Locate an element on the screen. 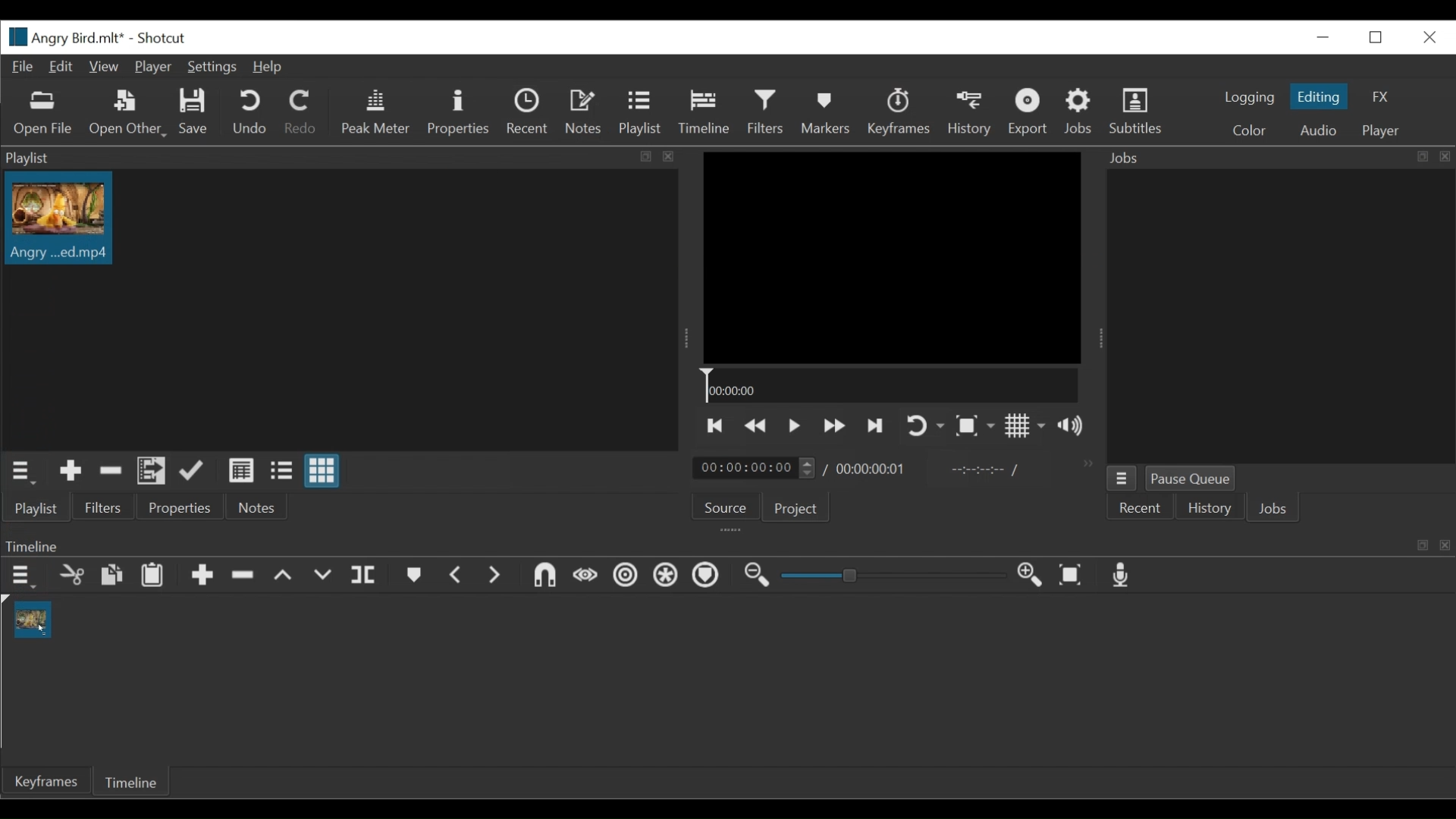 The height and width of the screenshot is (819, 1456). lift is located at coordinates (285, 575).